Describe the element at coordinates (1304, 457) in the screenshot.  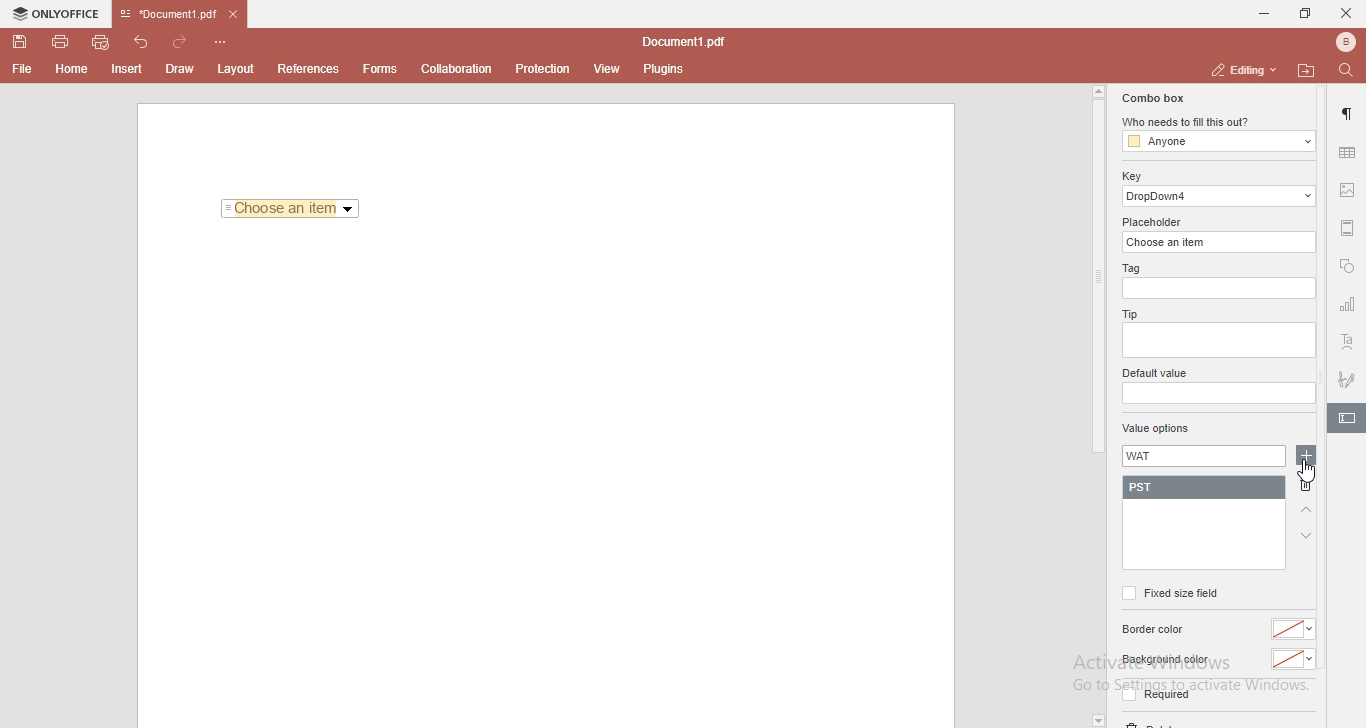
I see `add button clicked` at that location.